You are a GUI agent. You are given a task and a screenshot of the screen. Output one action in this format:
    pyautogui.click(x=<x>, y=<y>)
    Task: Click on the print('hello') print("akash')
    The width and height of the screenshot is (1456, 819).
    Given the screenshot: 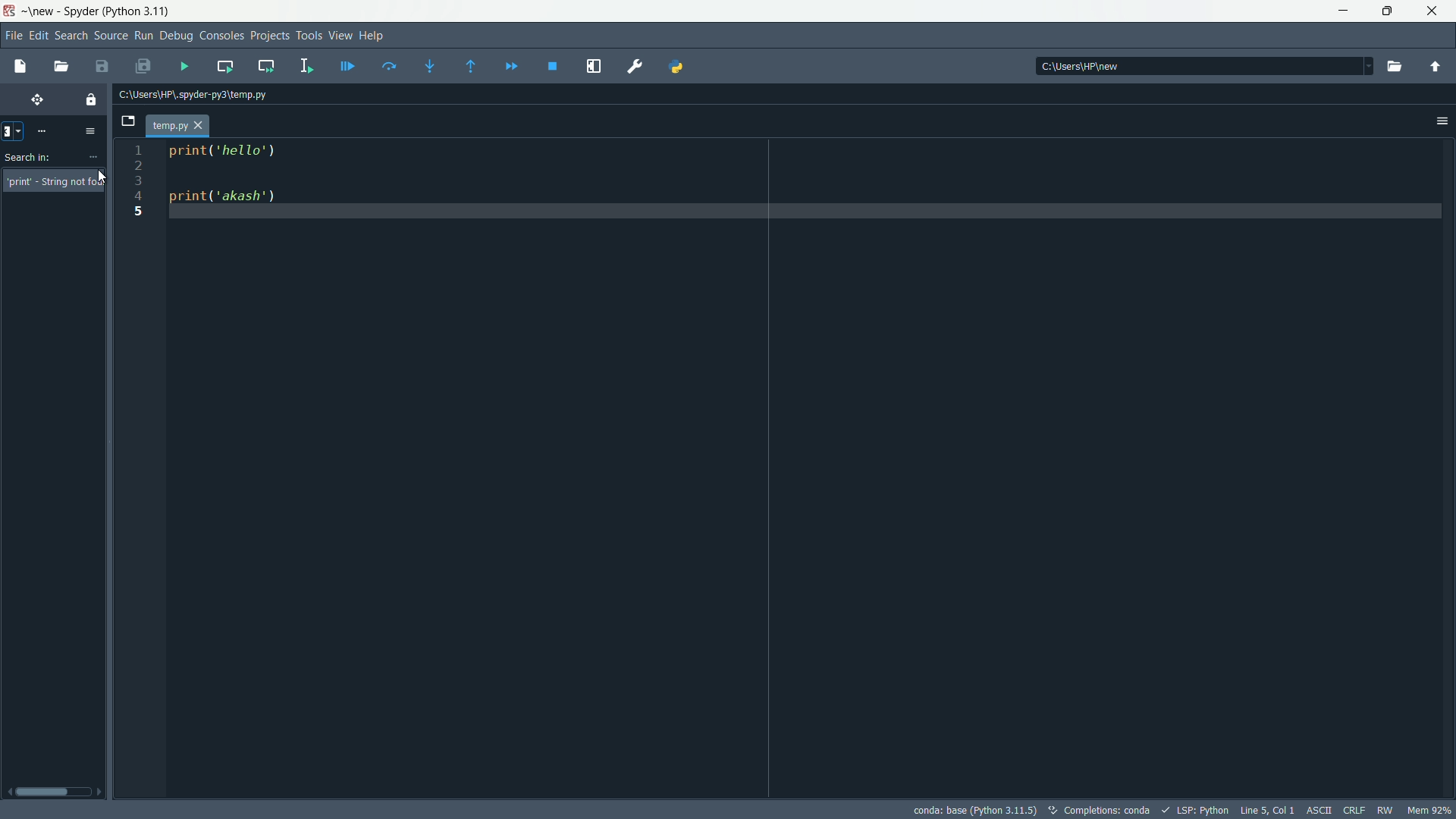 What is the action you would take?
    pyautogui.click(x=802, y=466)
    